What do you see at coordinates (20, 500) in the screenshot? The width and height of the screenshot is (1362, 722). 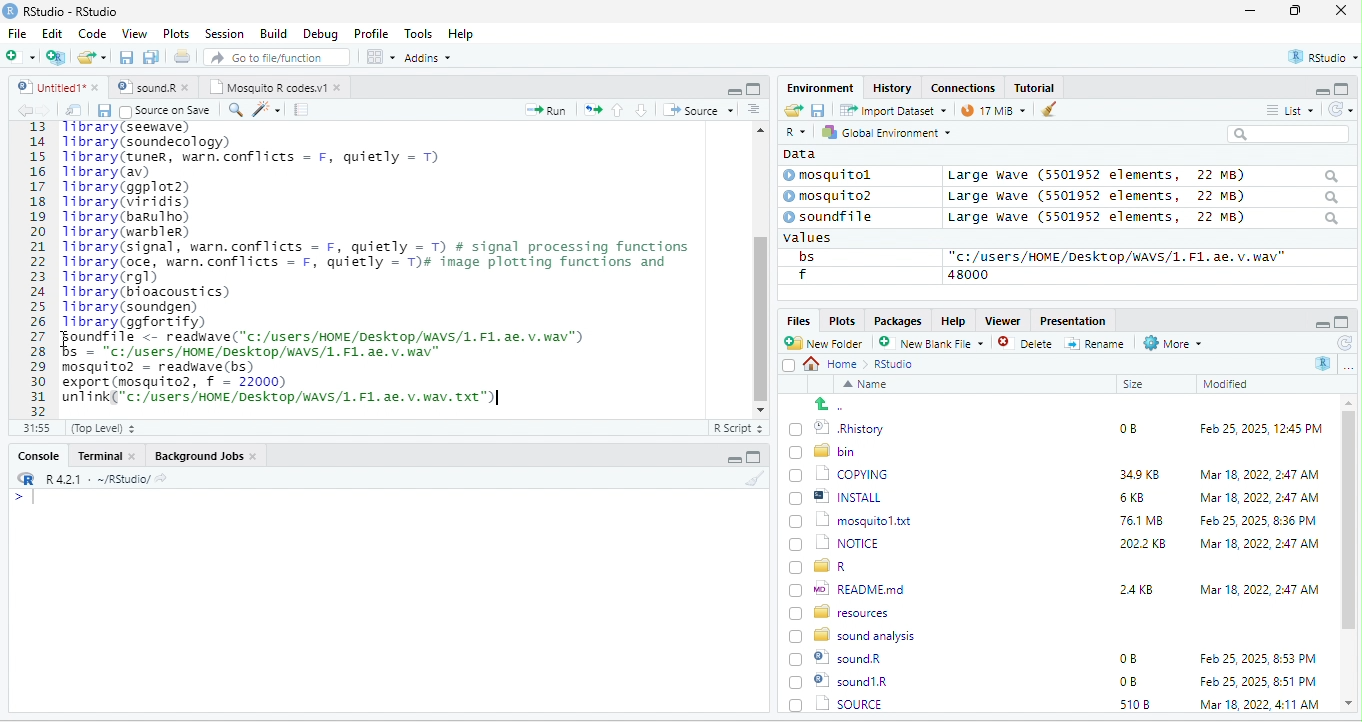 I see `syntax` at bounding box center [20, 500].